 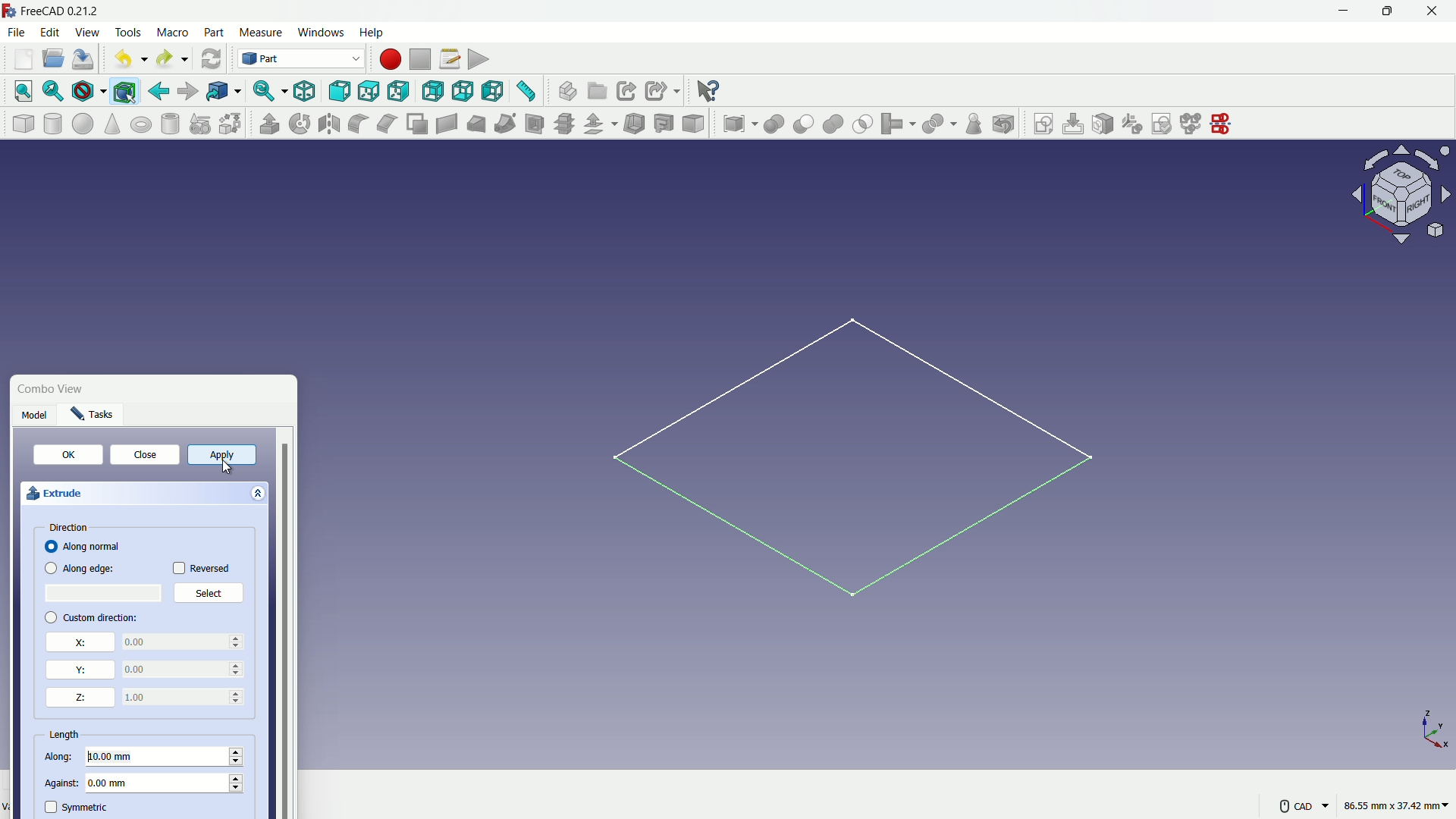 What do you see at coordinates (803, 124) in the screenshot?
I see `cut` at bounding box center [803, 124].